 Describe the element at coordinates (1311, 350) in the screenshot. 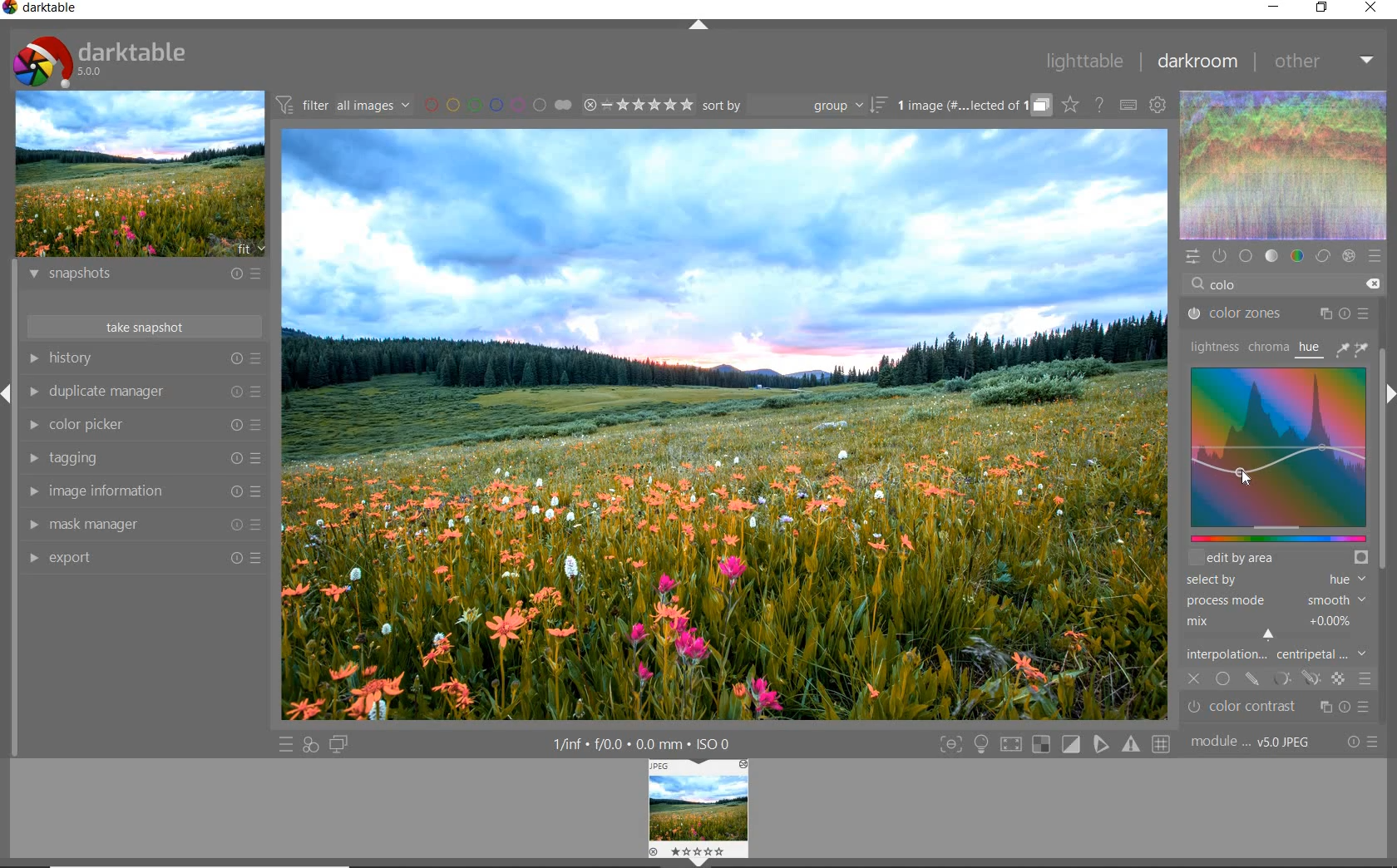

I see `hue` at that location.